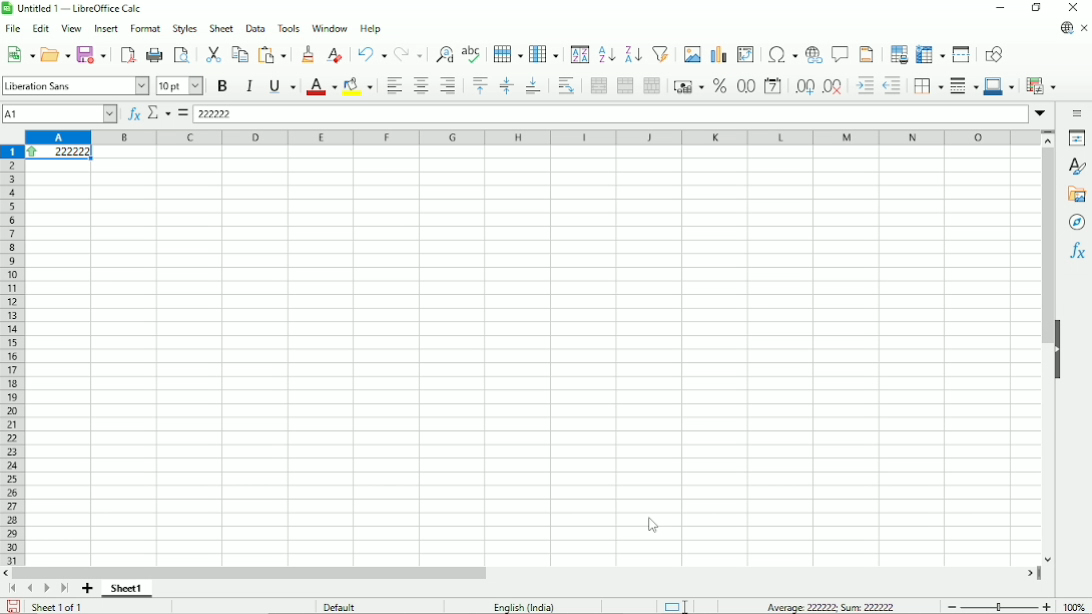 The height and width of the screenshot is (614, 1092). What do you see at coordinates (1040, 112) in the screenshot?
I see `Expand formula bar` at bounding box center [1040, 112].